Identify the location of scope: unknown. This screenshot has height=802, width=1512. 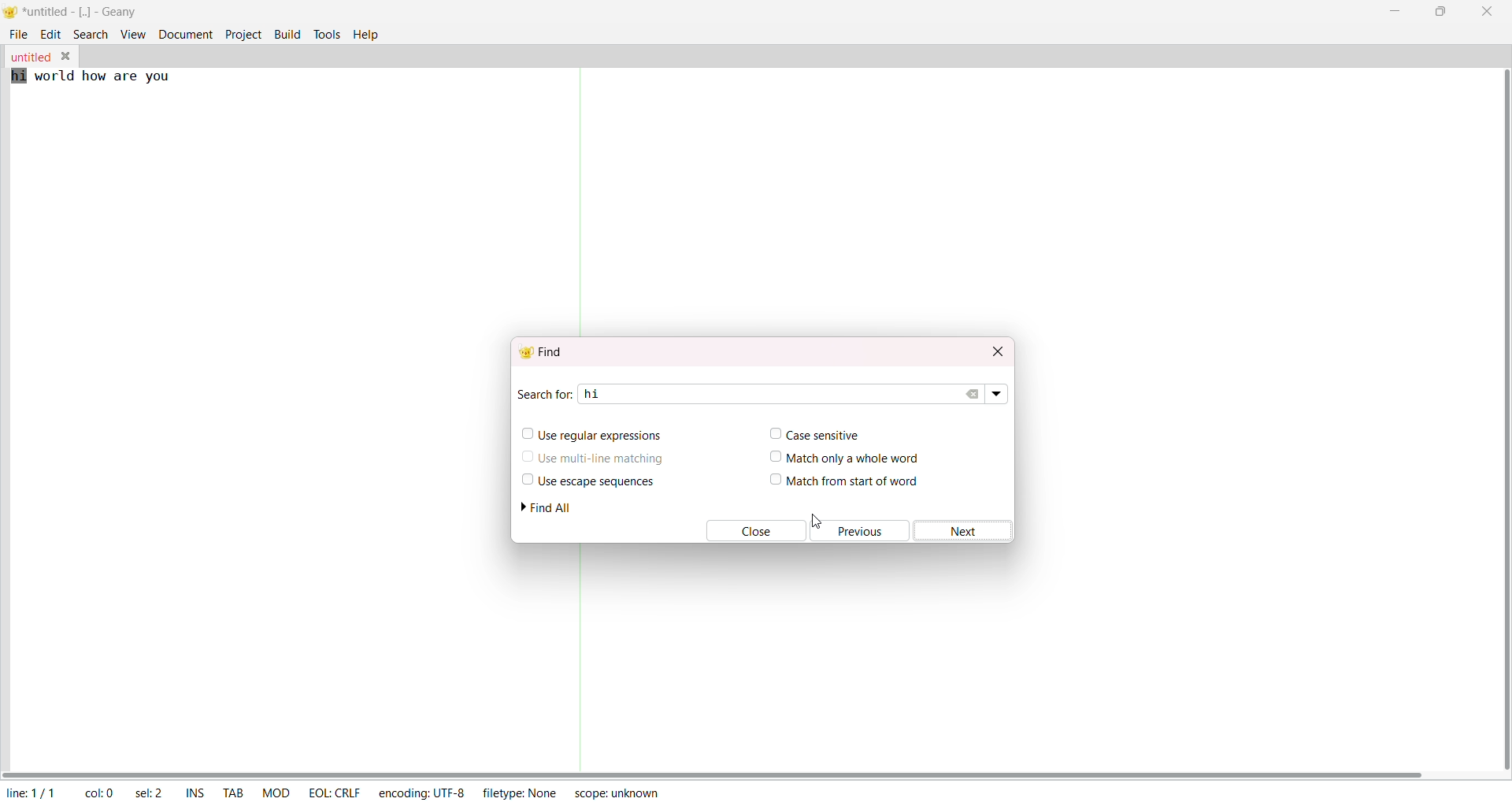
(613, 792).